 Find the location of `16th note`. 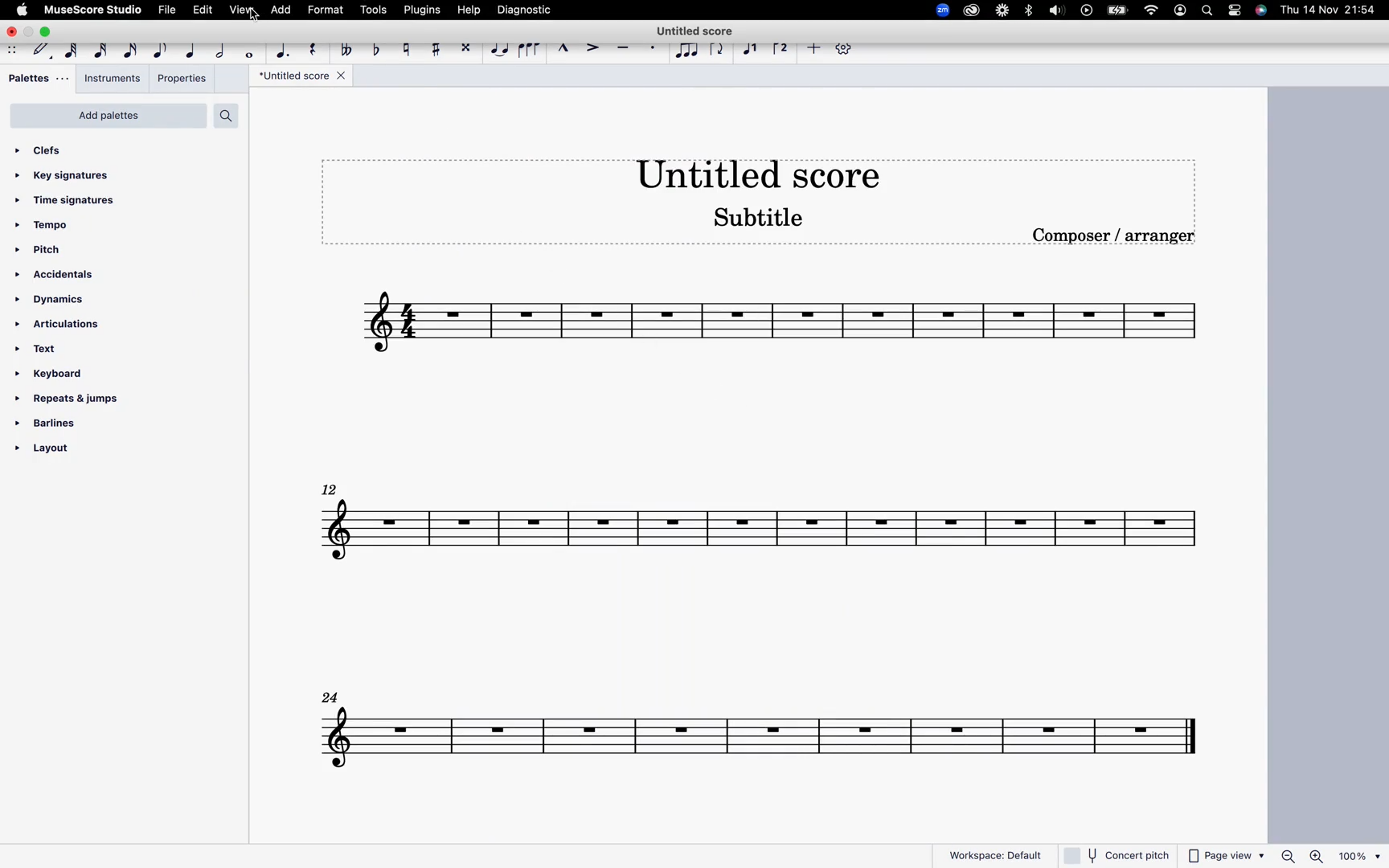

16th note is located at coordinates (128, 51).